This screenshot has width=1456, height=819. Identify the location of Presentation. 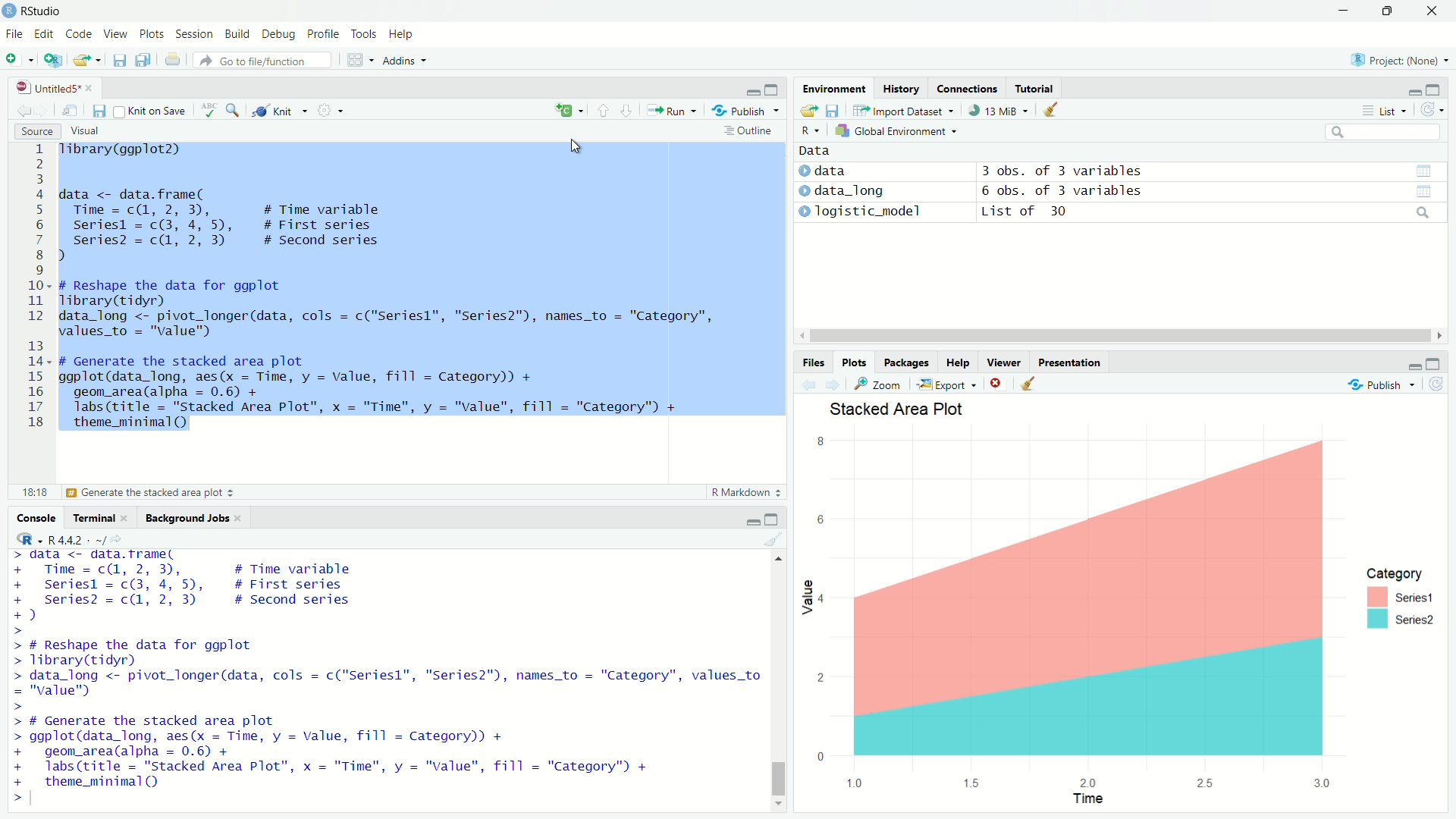
(1072, 362).